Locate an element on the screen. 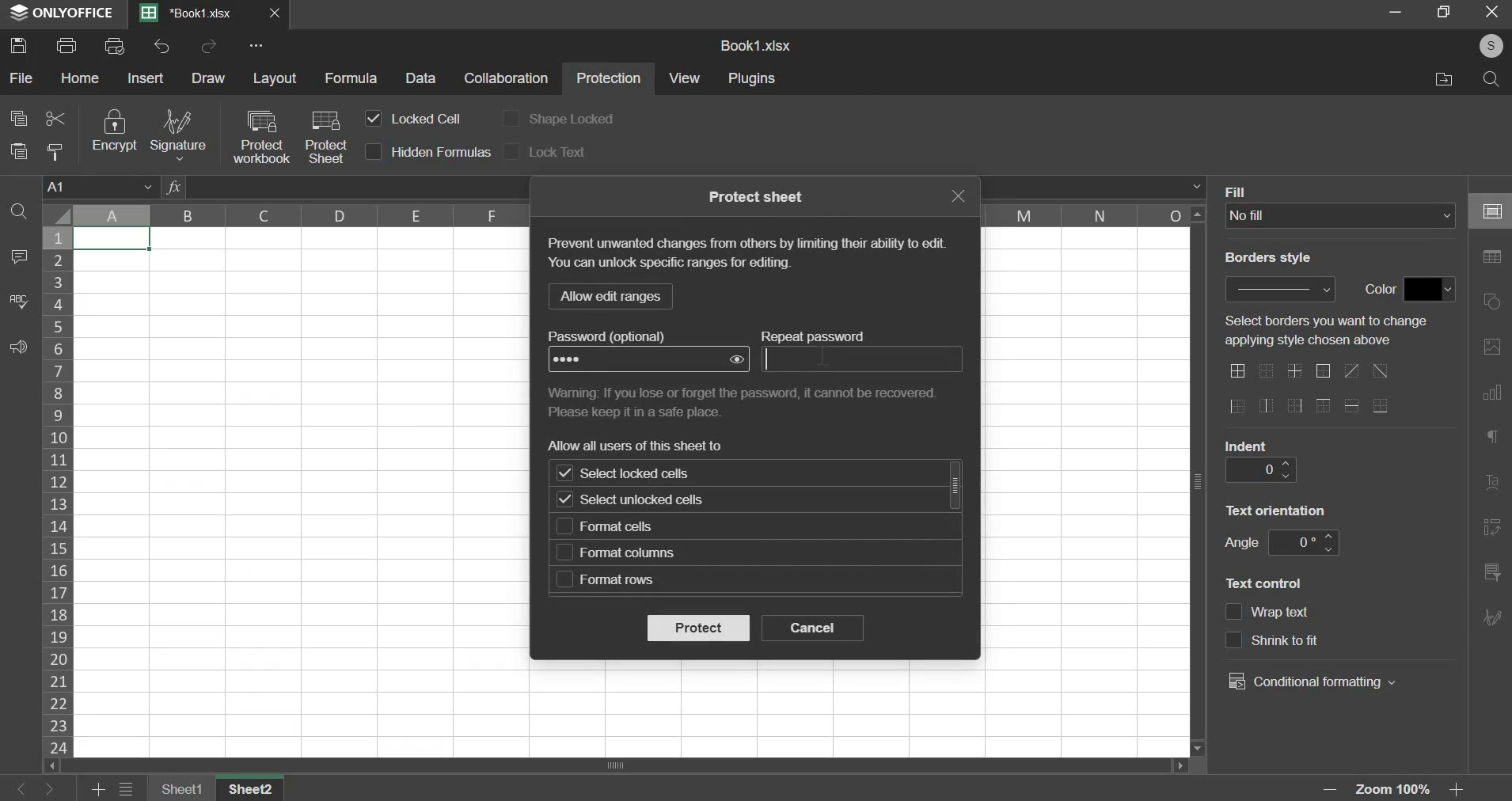 This screenshot has width=1512, height=801. text is located at coordinates (758, 196).